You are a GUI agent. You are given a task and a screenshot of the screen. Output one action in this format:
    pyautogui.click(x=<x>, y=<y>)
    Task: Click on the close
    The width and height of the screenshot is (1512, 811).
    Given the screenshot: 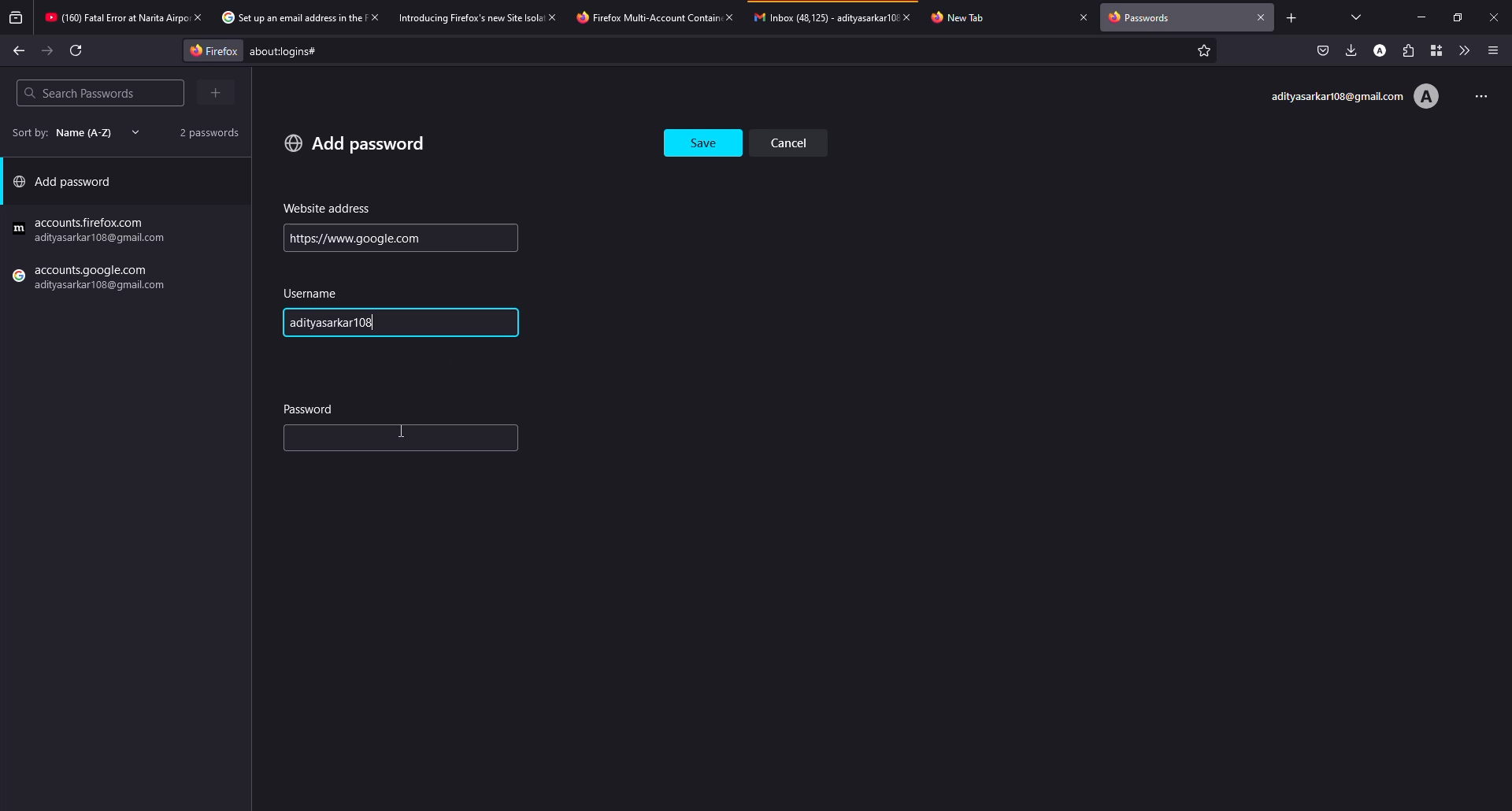 What is the action you would take?
    pyautogui.click(x=728, y=17)
    